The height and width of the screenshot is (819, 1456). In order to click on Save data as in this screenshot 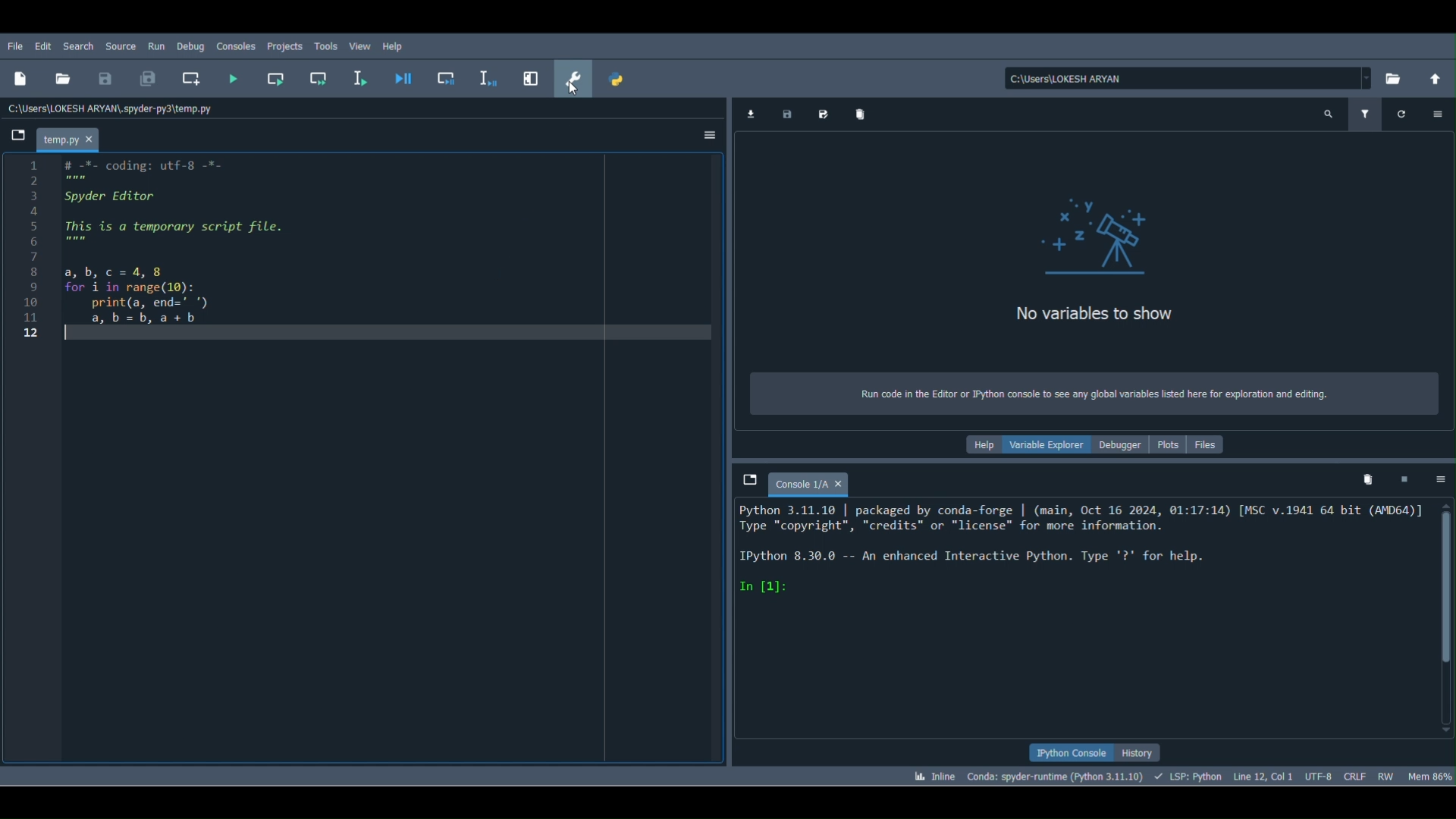, I will do `click(822, 115)`.